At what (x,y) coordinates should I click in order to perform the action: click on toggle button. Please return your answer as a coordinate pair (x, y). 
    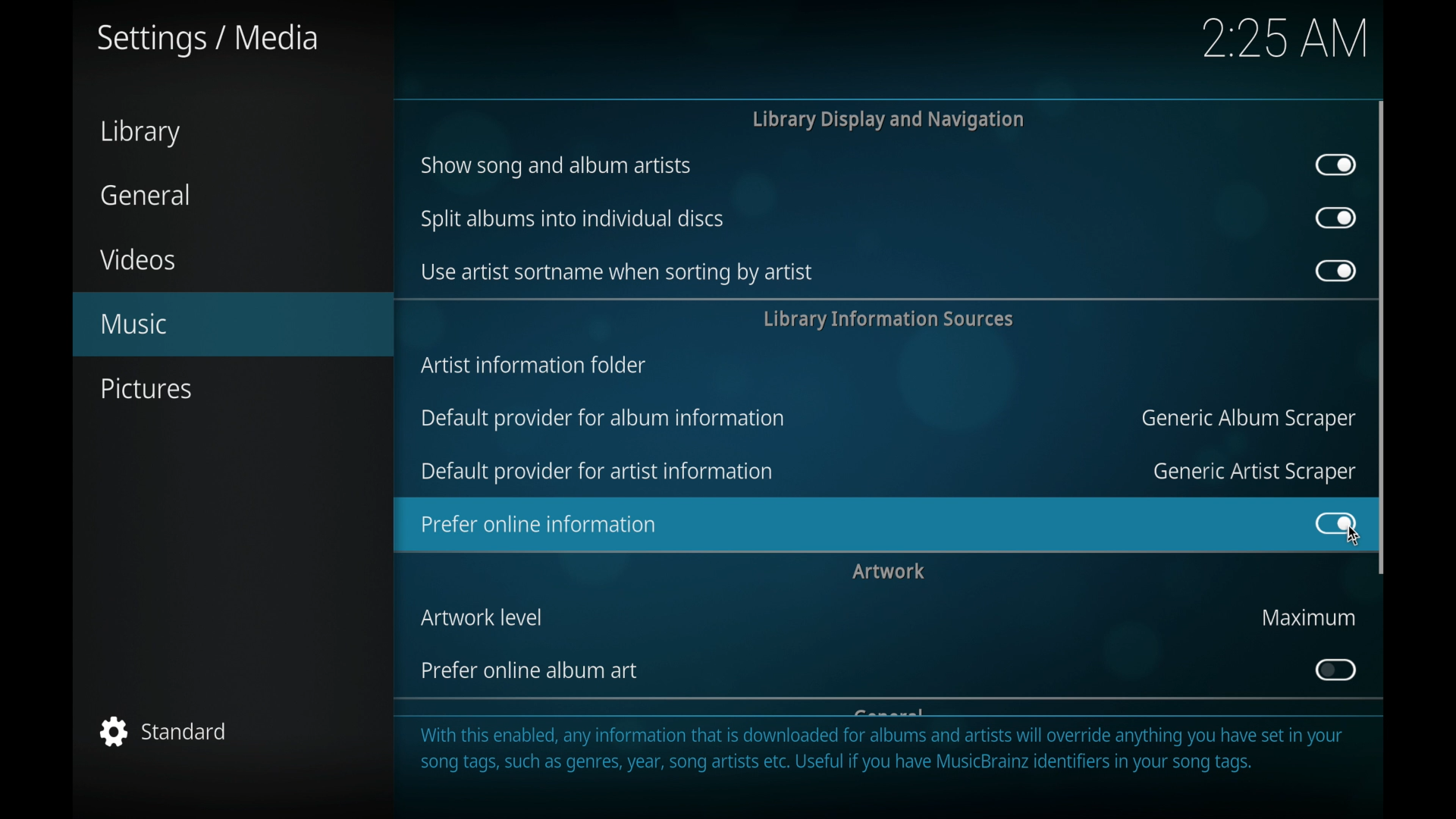
    Looking at the image, I should click on (1334, 523).